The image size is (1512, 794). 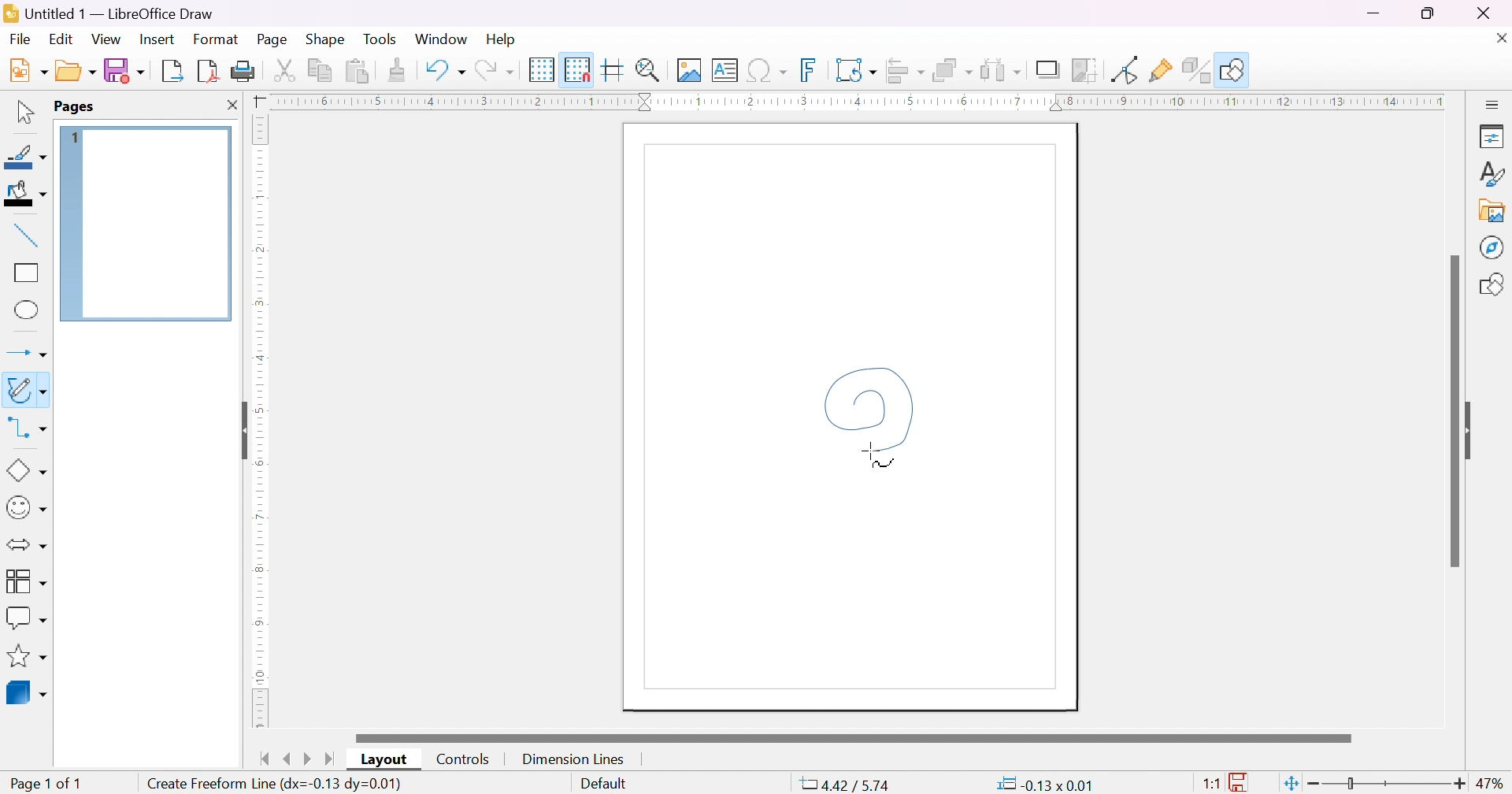 I want to click on pages, so click(x=75, y=107).